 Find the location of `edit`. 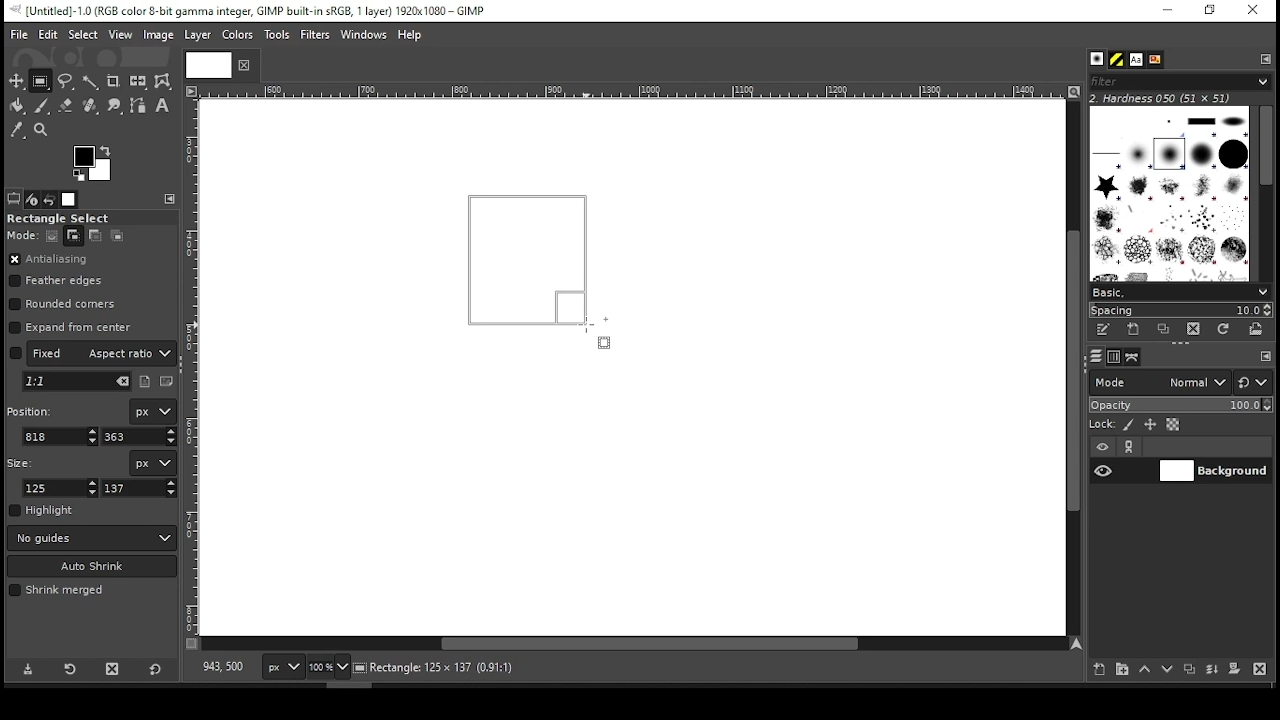

edit is located at coordinates (48, 34).